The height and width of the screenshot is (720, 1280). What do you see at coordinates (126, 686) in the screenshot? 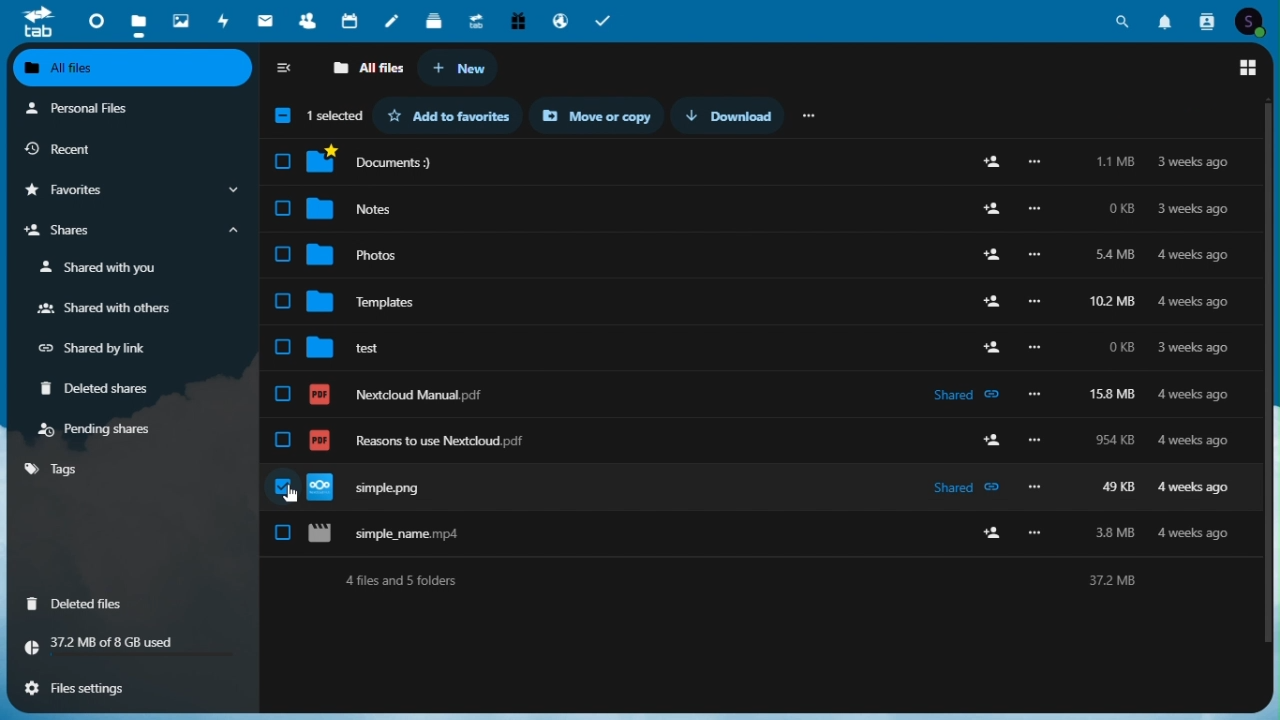
I see `file settings` at bounding box center [126, 686].